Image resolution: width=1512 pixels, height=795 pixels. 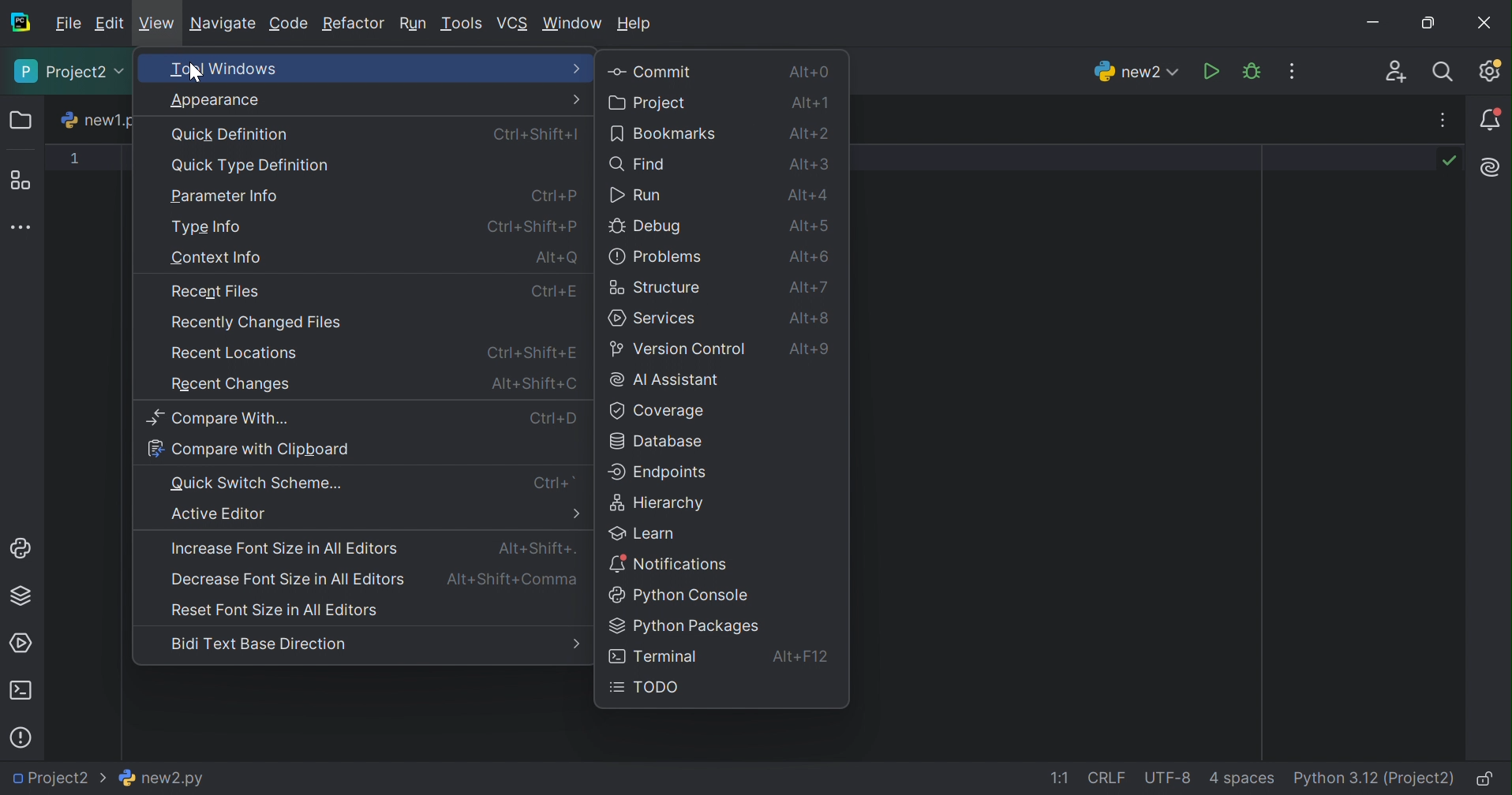 I want to click on Database, so click(x=657, y=442).